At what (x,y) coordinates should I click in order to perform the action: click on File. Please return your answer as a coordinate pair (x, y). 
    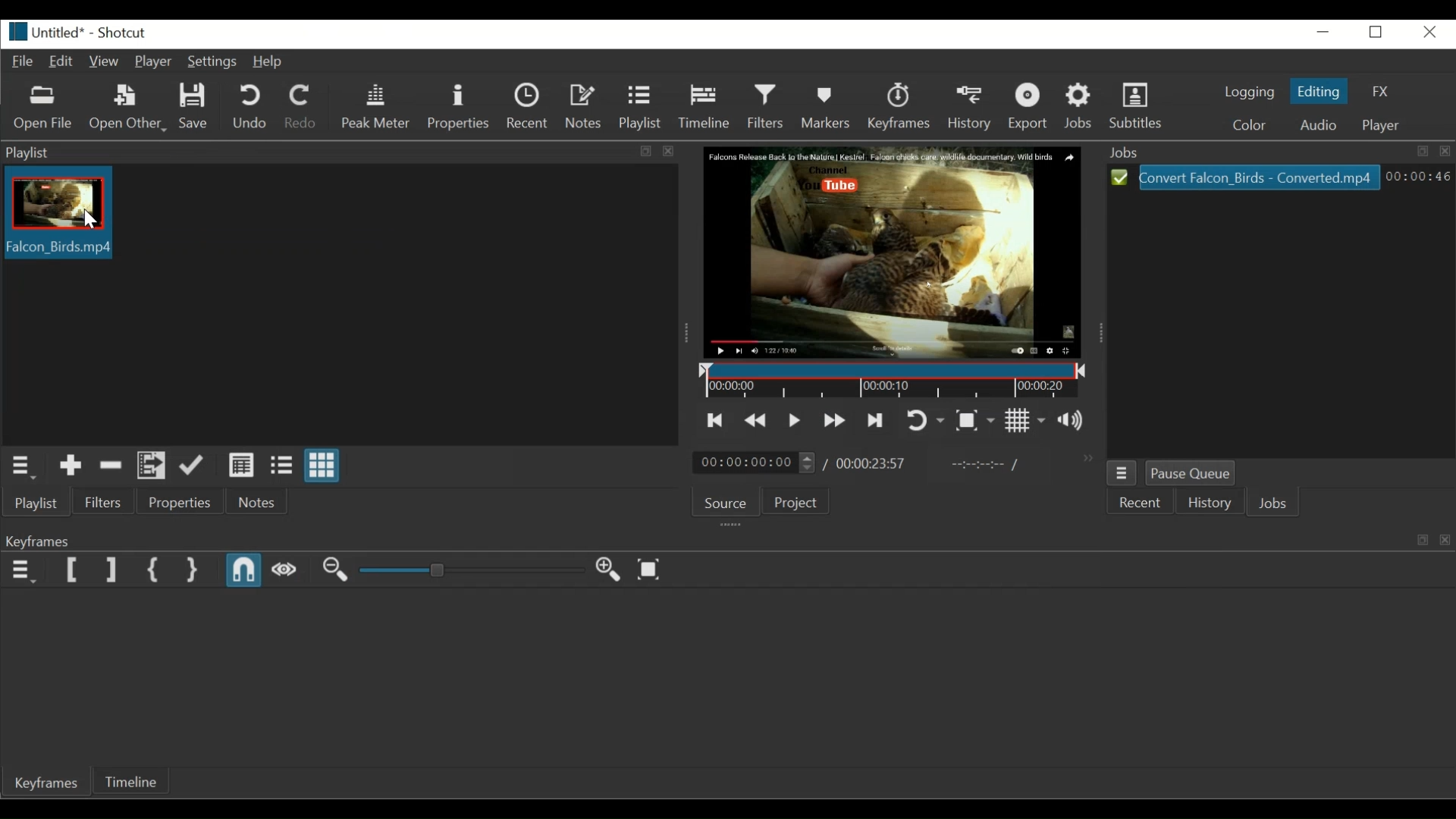
    Looking at the image, I should click on (24, 62).